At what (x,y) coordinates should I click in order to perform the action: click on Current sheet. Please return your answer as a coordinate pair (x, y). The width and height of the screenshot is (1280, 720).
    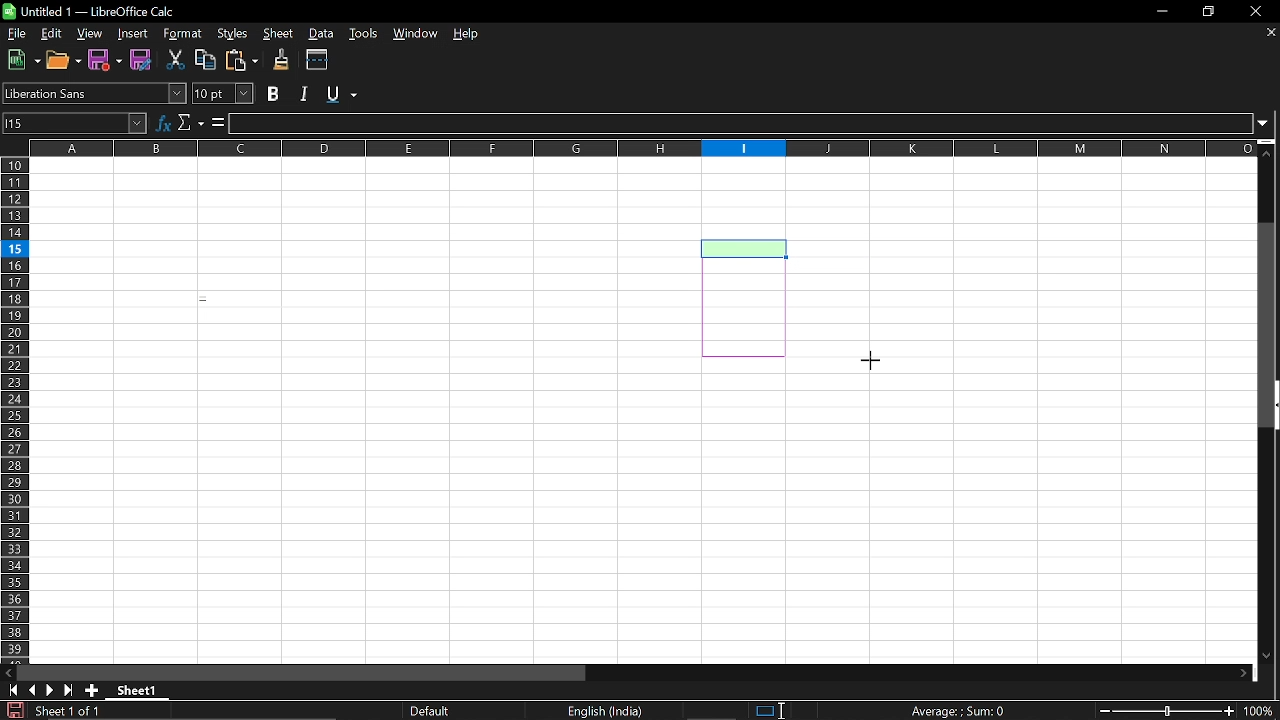
    Looking at the image, I should click on (67, 712).